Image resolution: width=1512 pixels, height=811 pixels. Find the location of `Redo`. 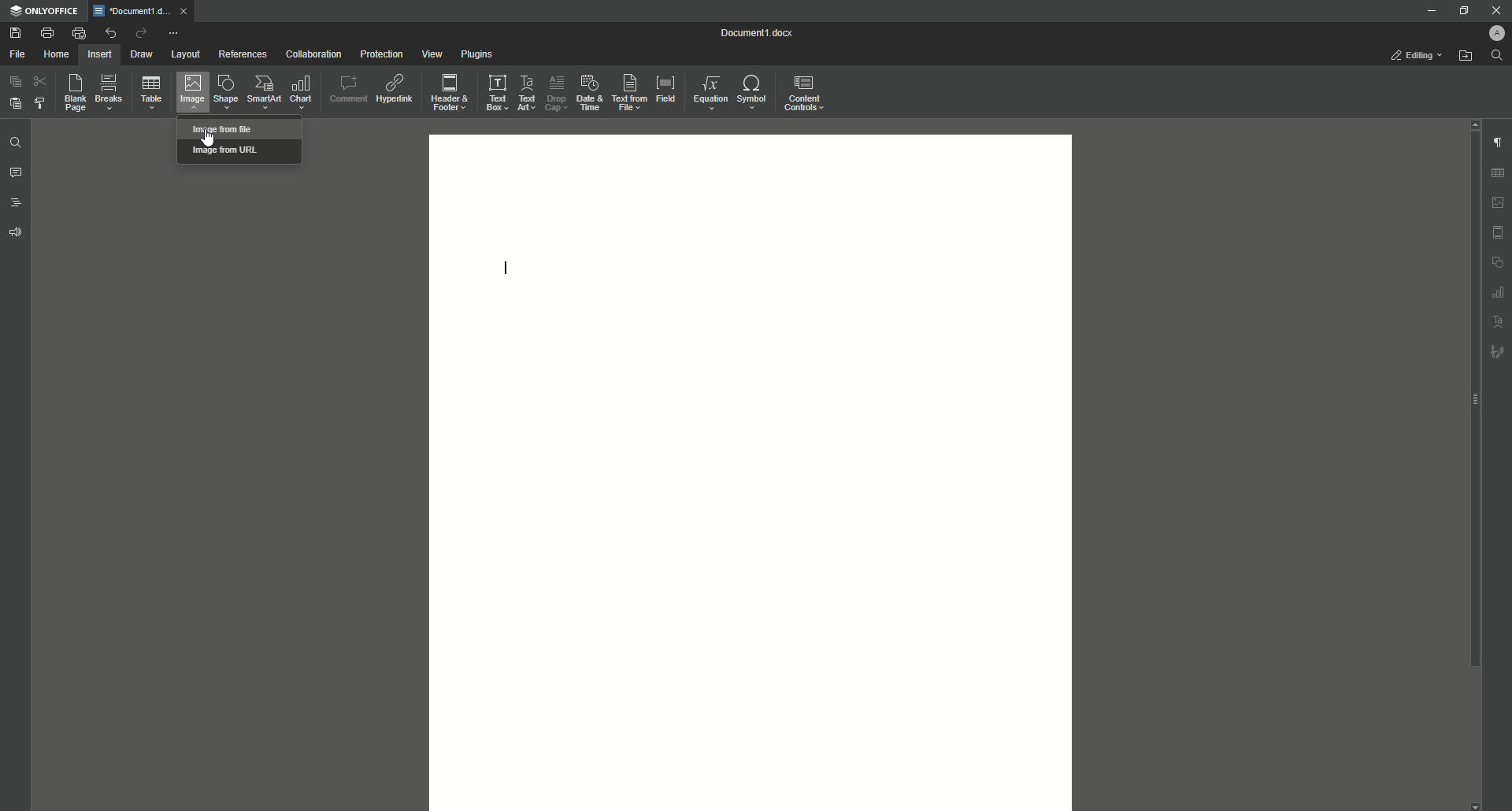

Redo is located at coordinates (143, 33).